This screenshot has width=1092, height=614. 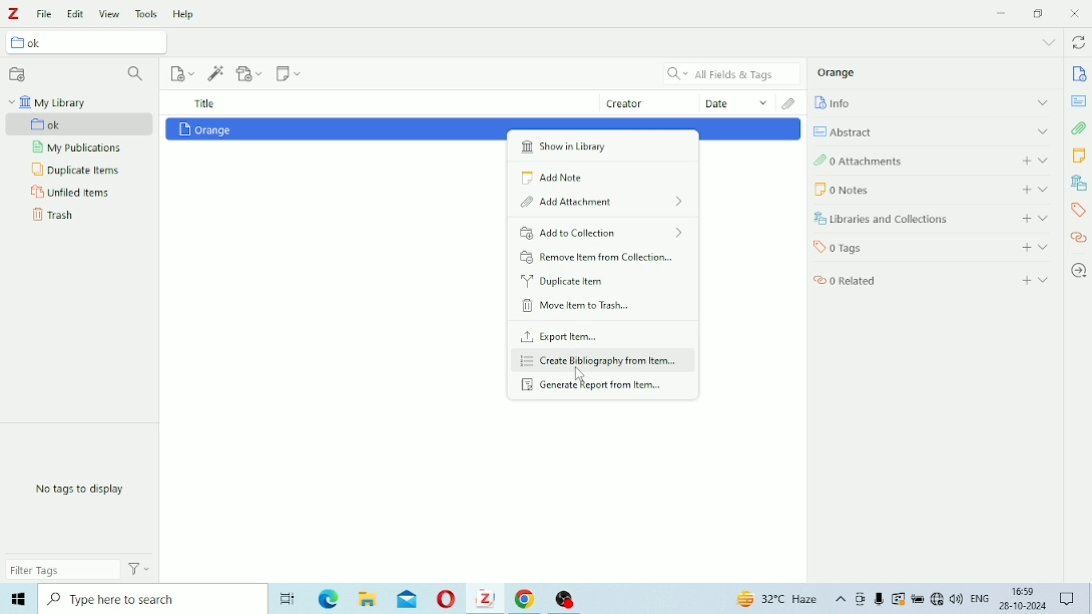 What do you see at coordinates (110, 14) in the screenshot?
I see `View` at bounding box center [110, 14].